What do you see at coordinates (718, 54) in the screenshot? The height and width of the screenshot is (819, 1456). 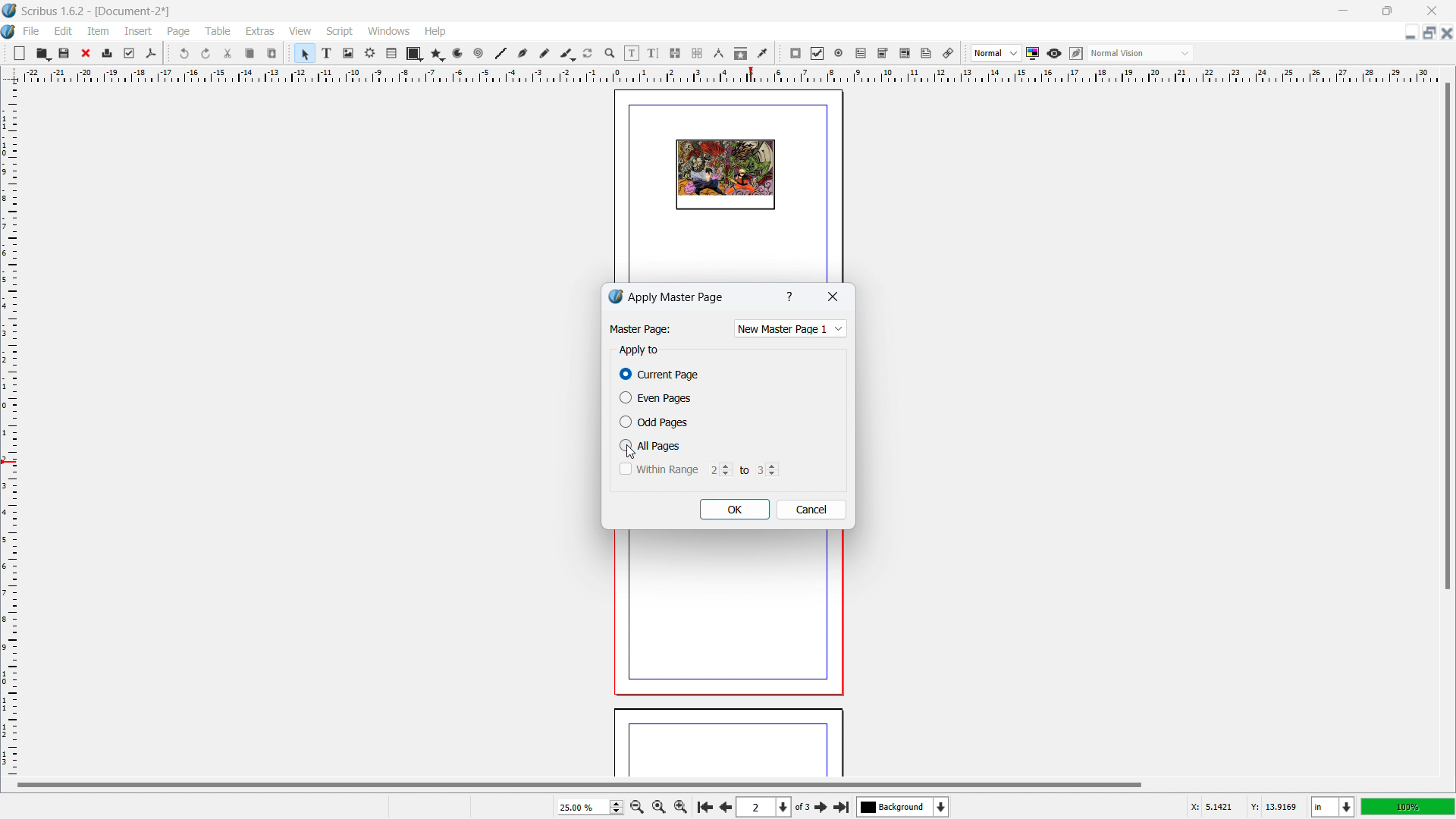 I see `measurement` at bounding box center [718, 54].